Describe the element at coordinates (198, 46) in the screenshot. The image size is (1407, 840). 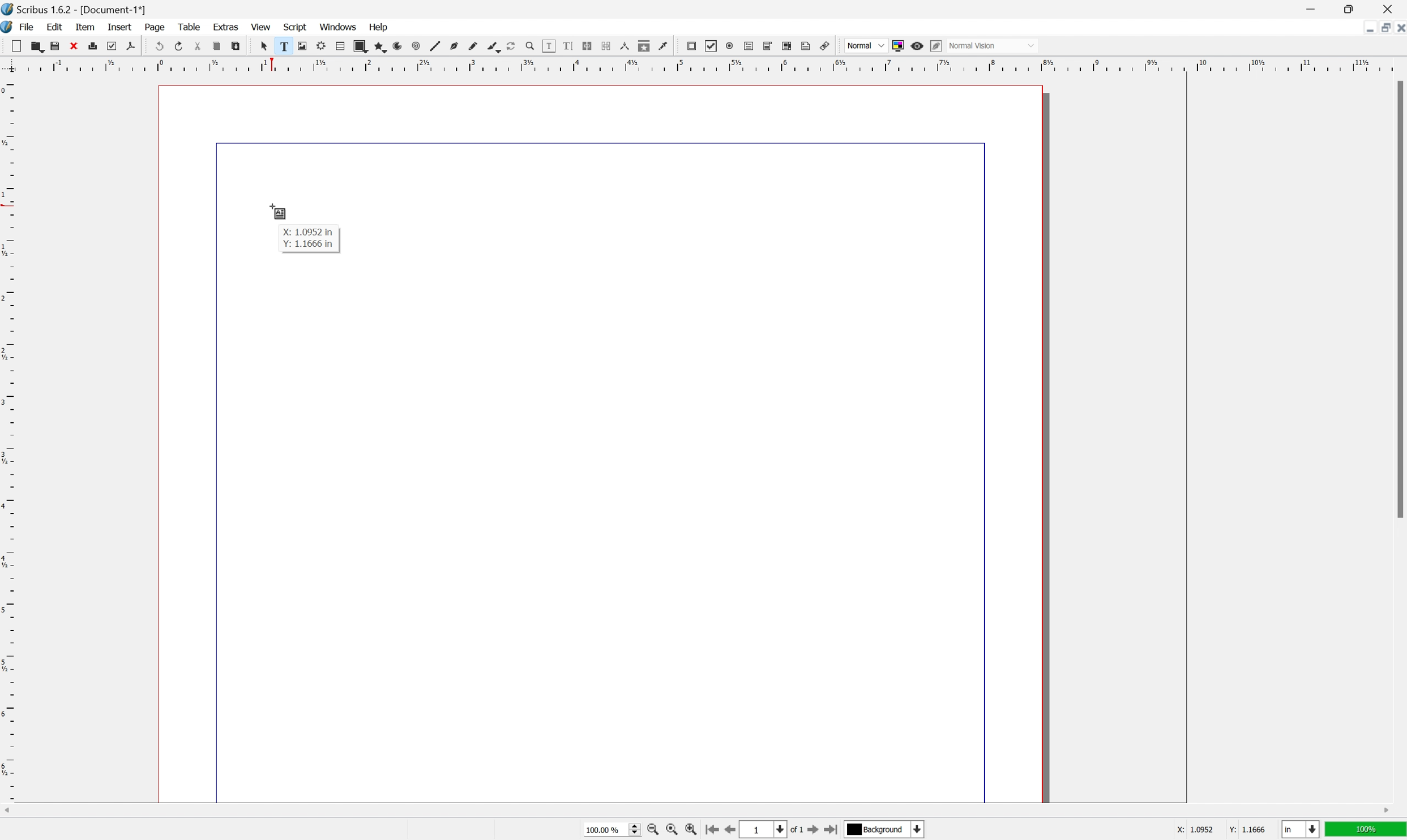
I see `cut` at that location.